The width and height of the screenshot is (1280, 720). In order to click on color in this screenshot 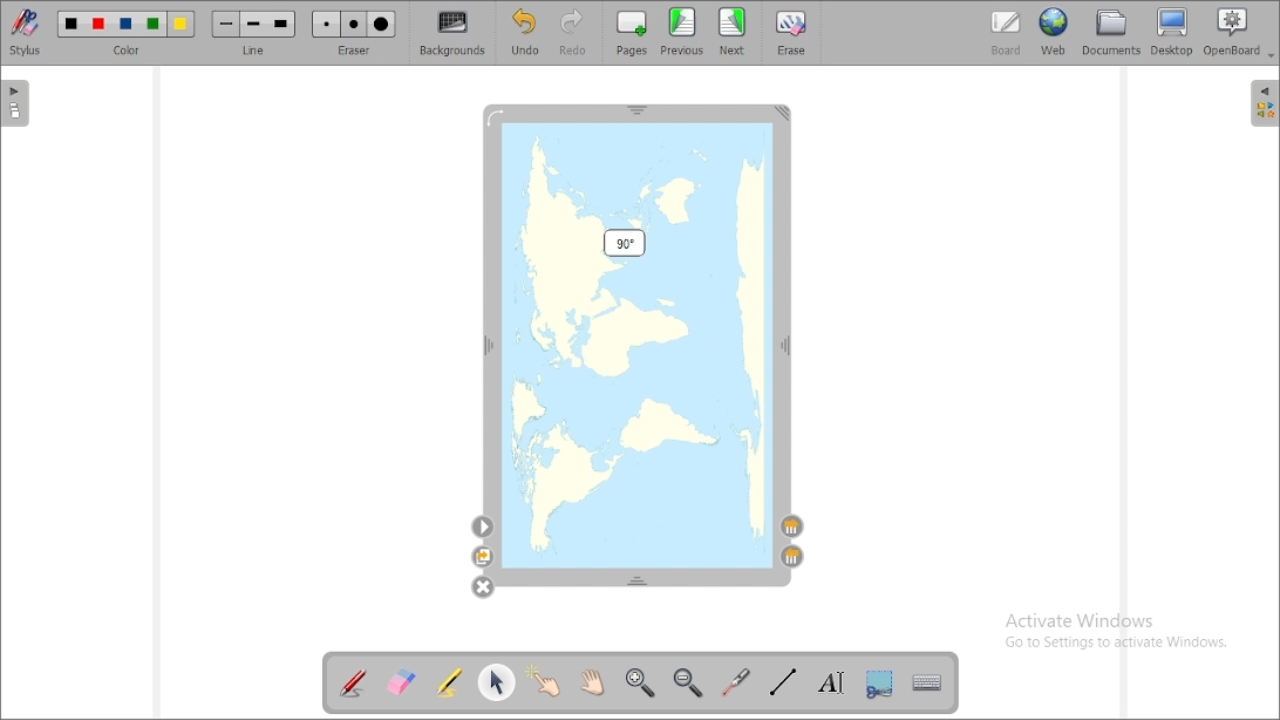, I will do `click(127, 32)`.